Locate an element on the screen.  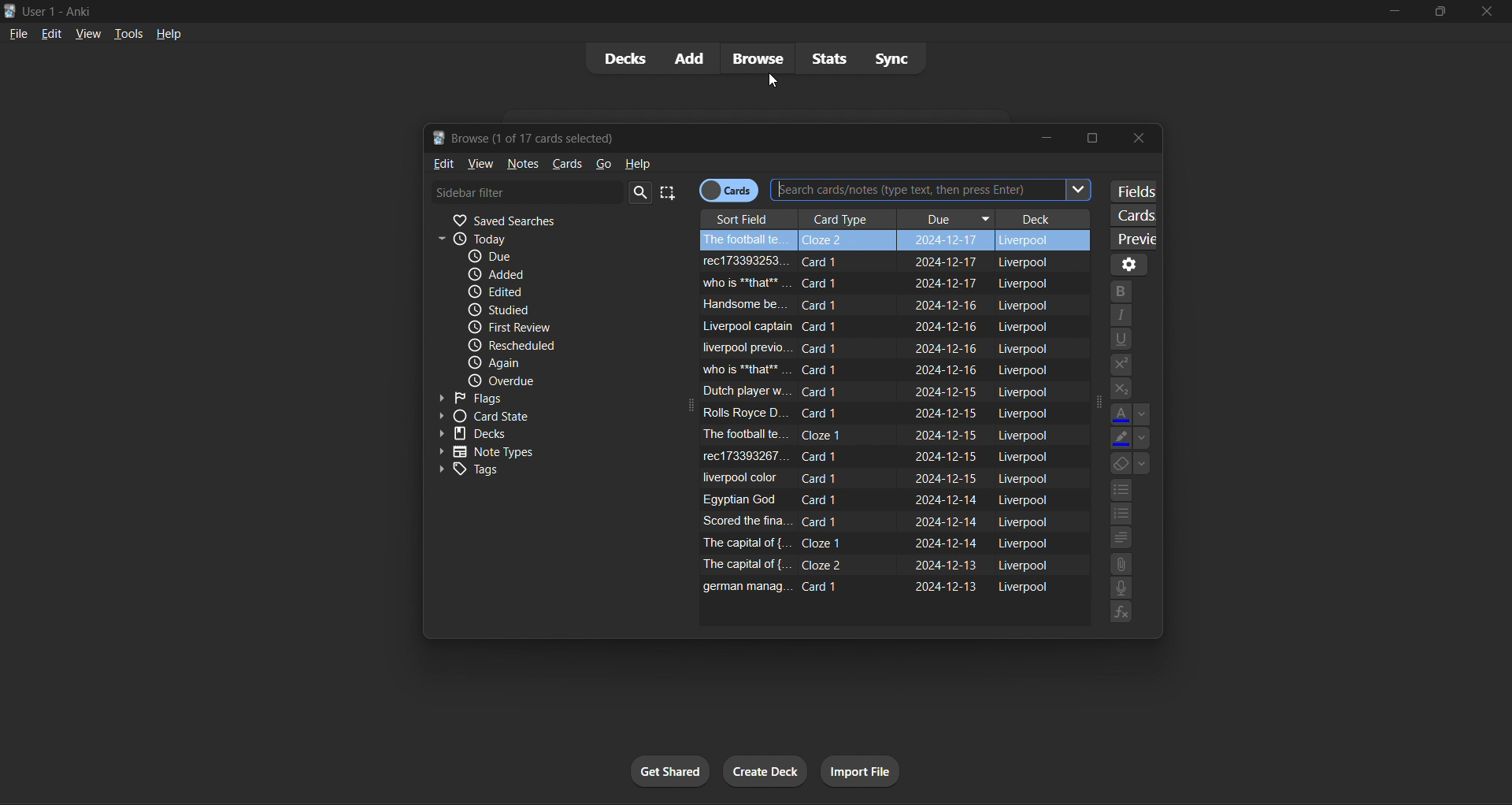
liverpool is located at coordinates (1025, 305).